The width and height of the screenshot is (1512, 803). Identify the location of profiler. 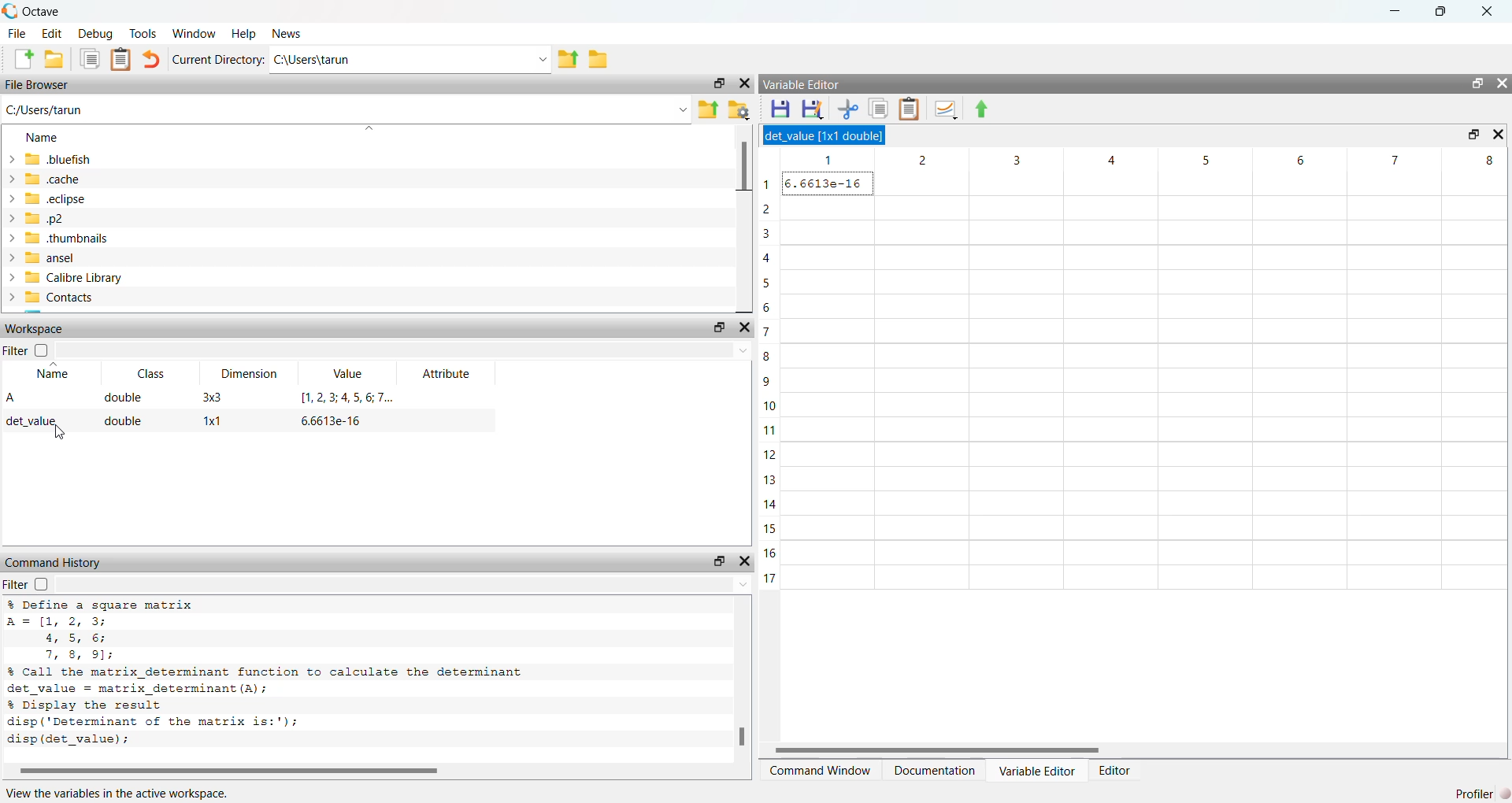
(1482, 792).